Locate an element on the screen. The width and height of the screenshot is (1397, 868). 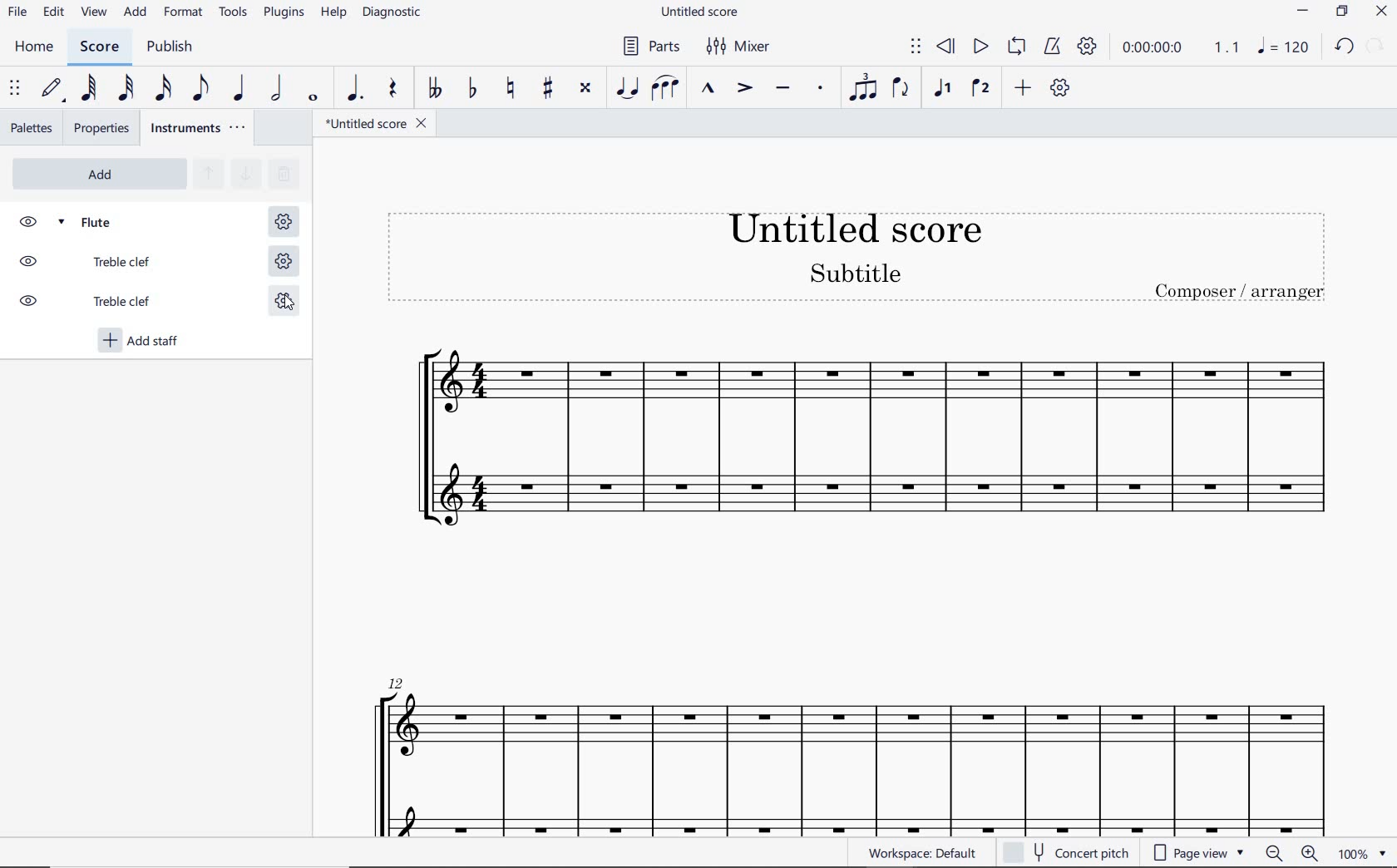
FILE NAME is located at coordinates (699, 11).